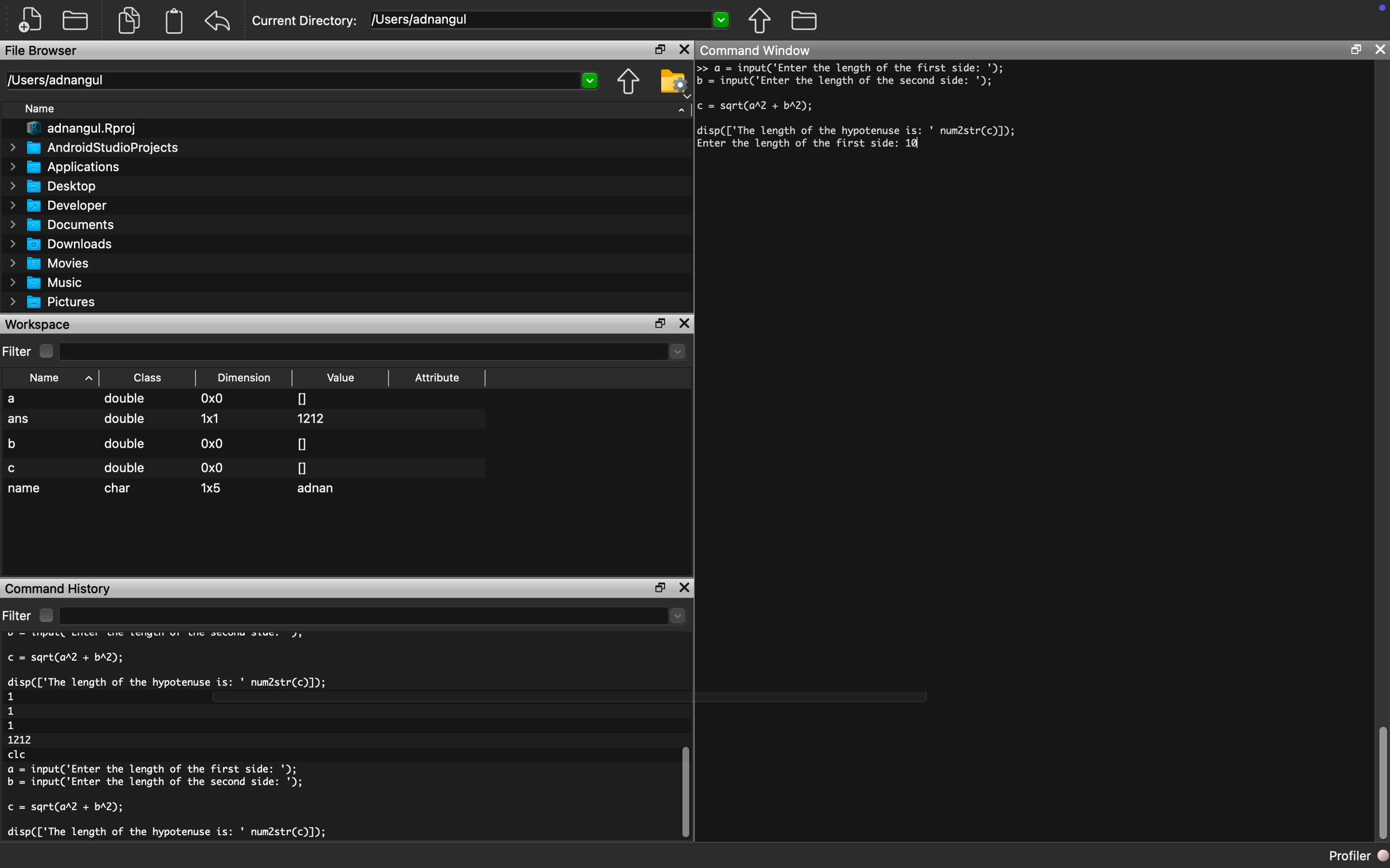 The image size is (1390, 868). Describe the element at coordinates (60, 587) in the screenshot. I see `Command History` at that location.